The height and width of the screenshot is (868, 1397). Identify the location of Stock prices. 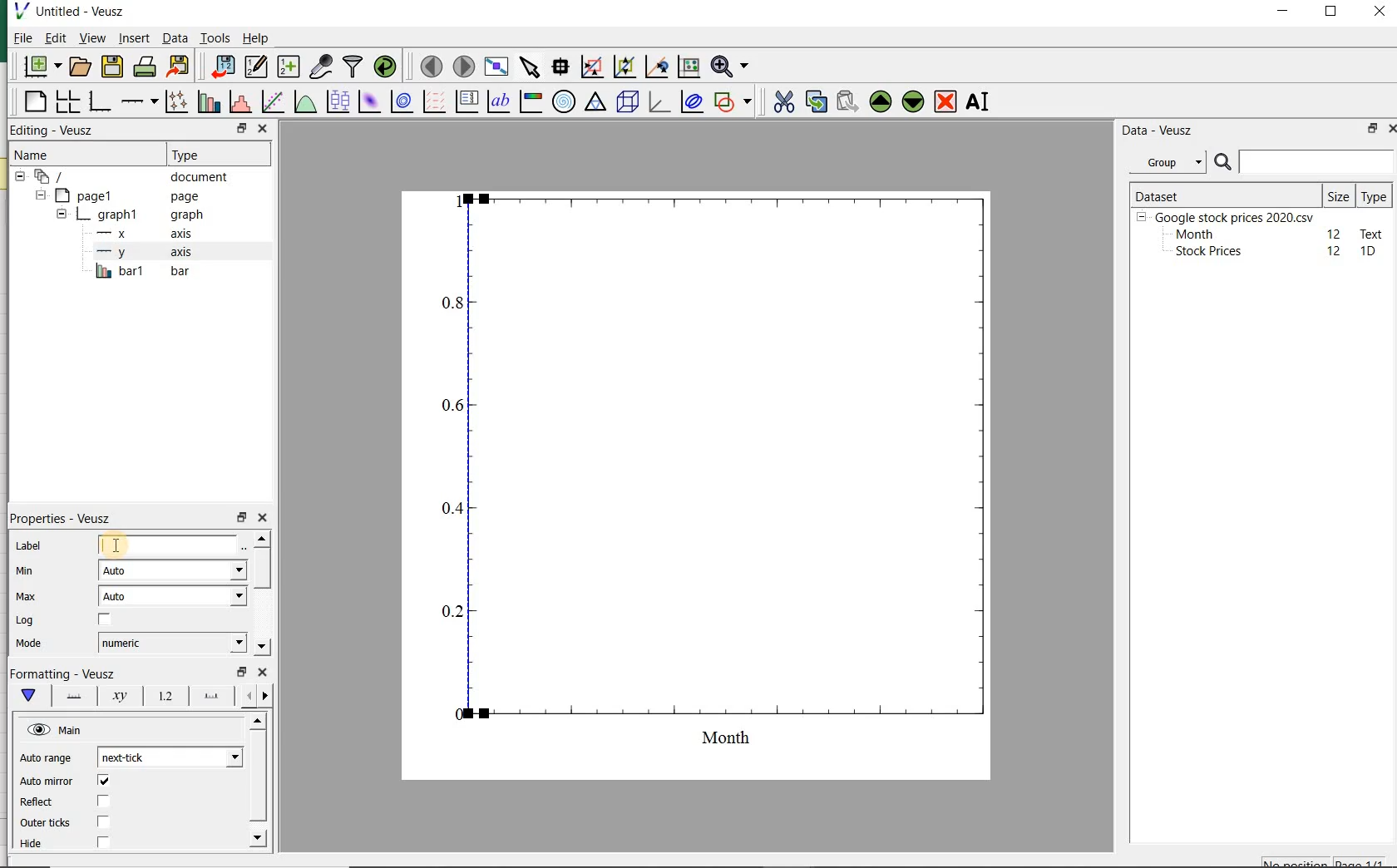
(1201, 252).